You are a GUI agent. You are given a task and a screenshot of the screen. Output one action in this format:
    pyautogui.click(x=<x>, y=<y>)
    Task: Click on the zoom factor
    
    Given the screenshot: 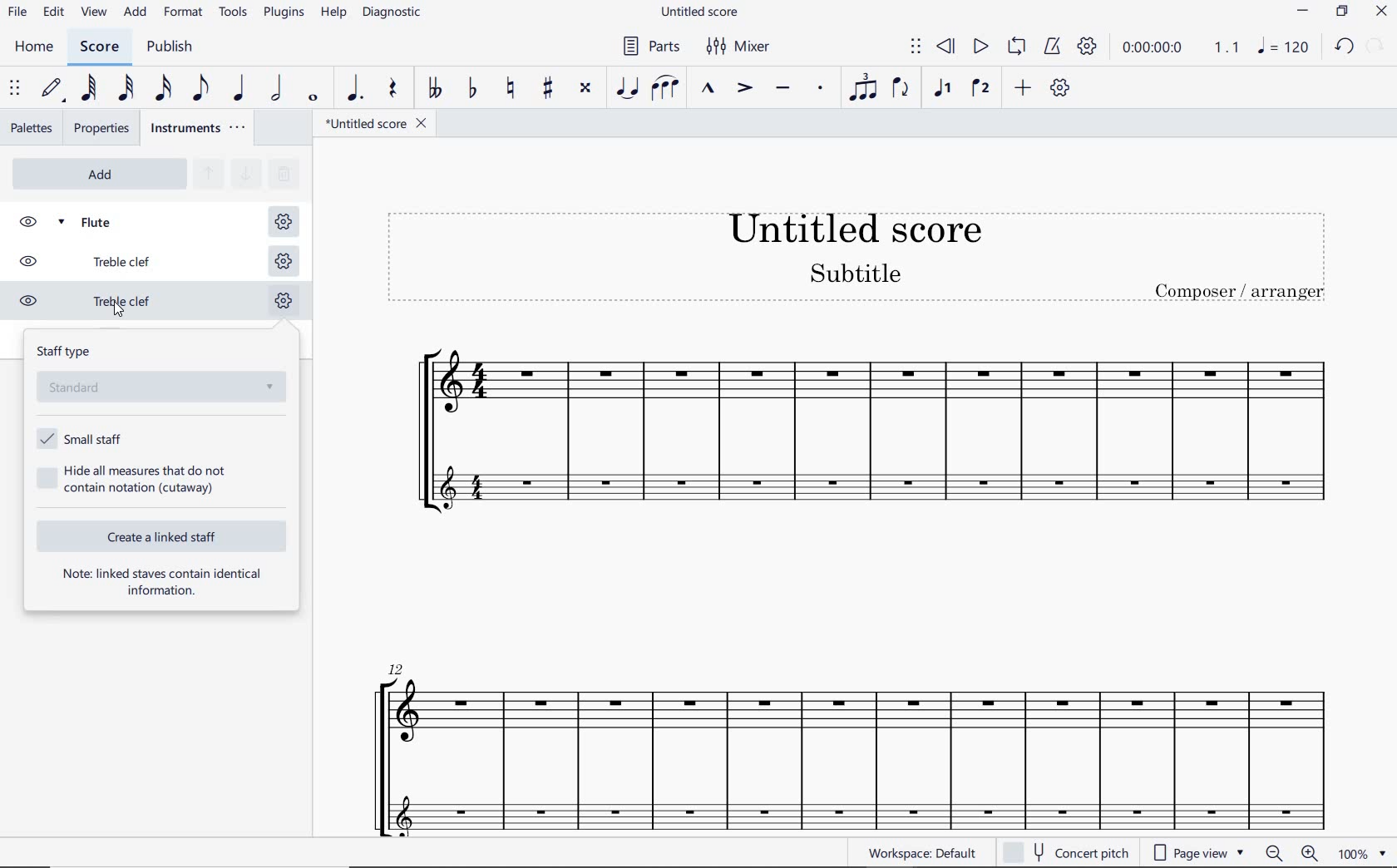 What is the action you would take?
    pyautogui.click(x=1360, y=854)
    